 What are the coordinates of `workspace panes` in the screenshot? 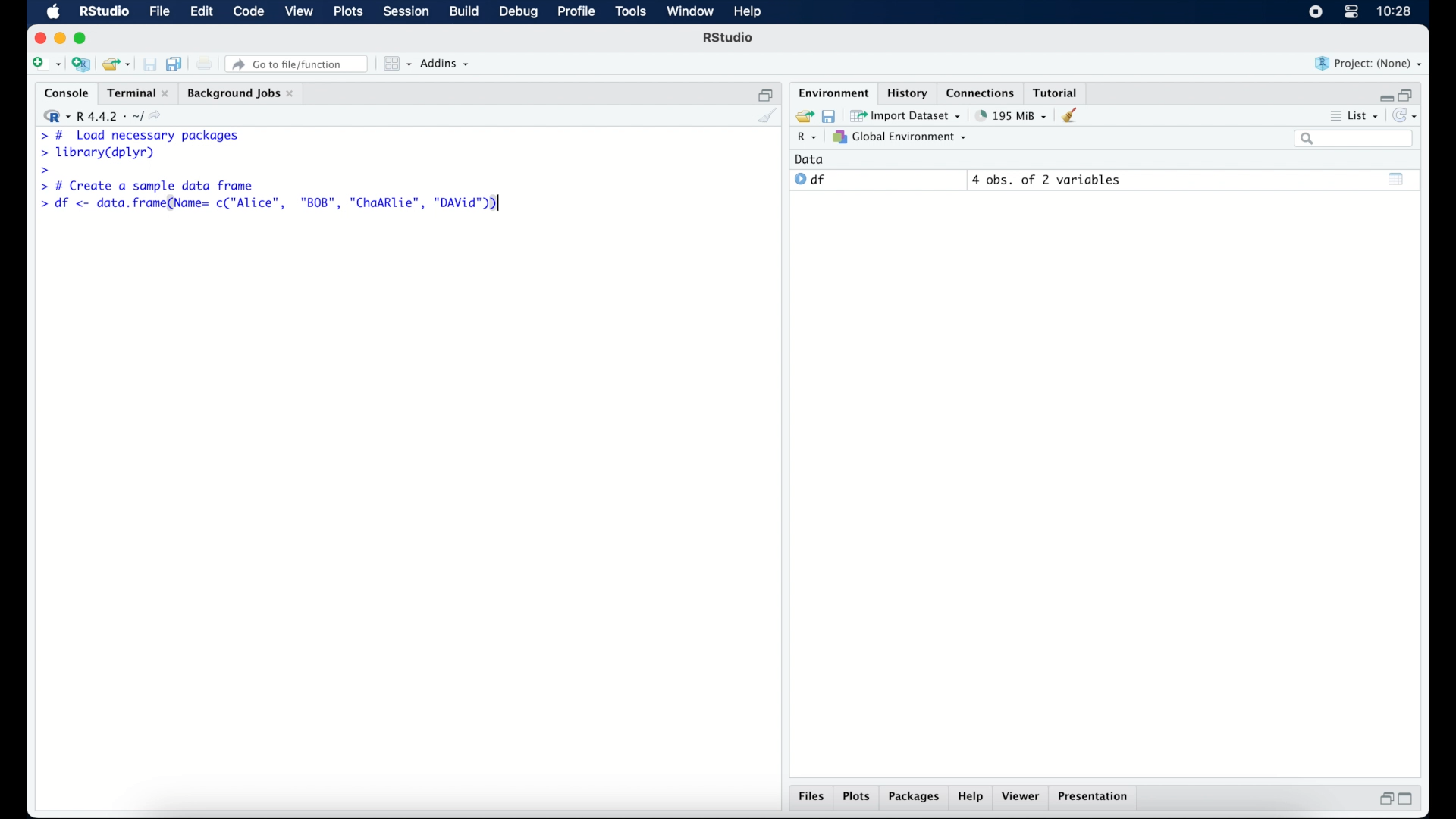 It's located at (396, 64).